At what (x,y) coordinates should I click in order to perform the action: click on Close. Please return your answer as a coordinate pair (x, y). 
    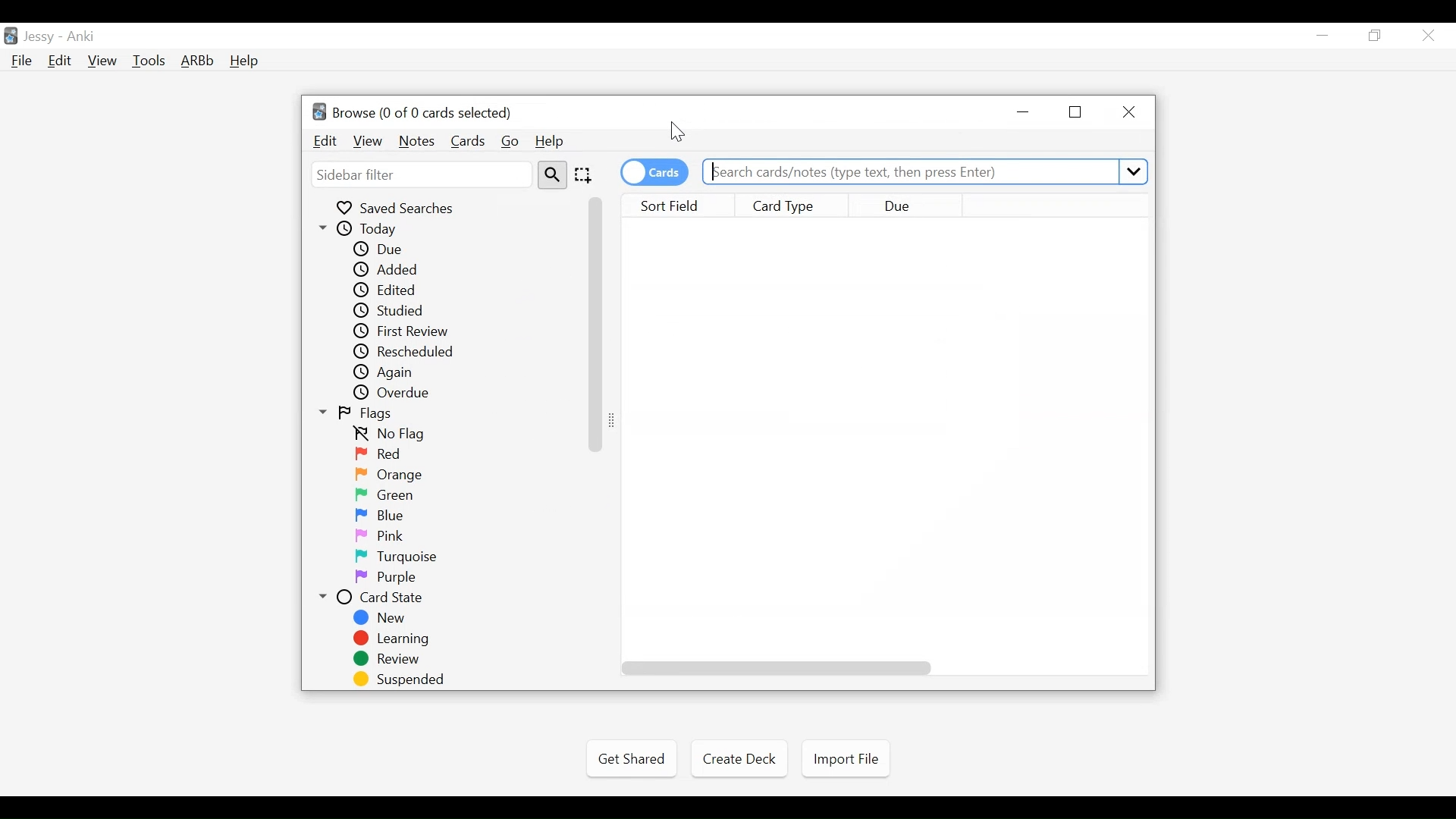
    Looking at the image, I should click on (1426, 35).